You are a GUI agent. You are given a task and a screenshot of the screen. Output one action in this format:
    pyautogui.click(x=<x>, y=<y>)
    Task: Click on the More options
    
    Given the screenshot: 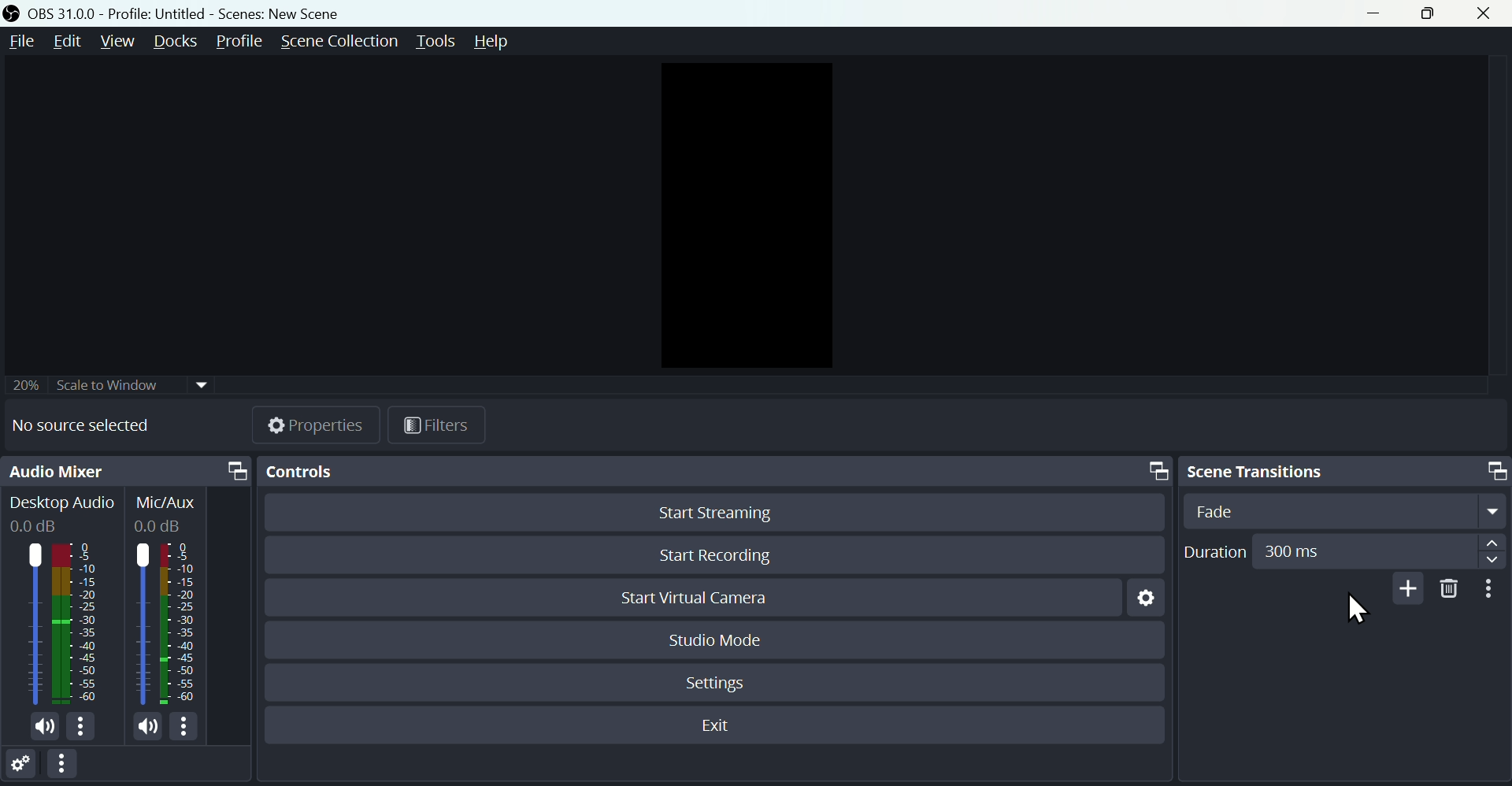 What is the action you would take?
    pyautogui.click(x=82, y=727)
    